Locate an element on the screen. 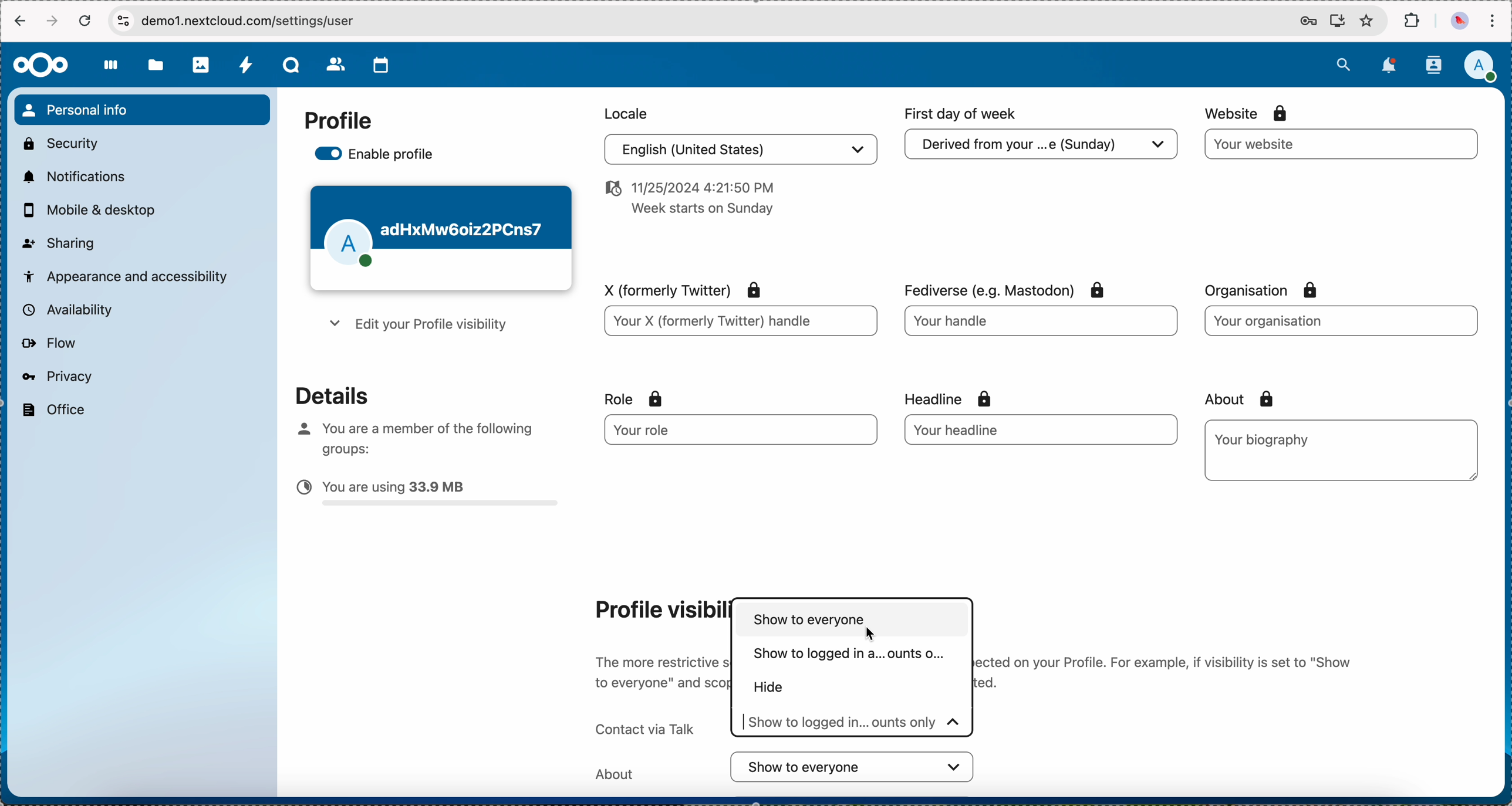 This screenshot has width=1512, height=806. profile picture is located at coordinates (1458, 22).